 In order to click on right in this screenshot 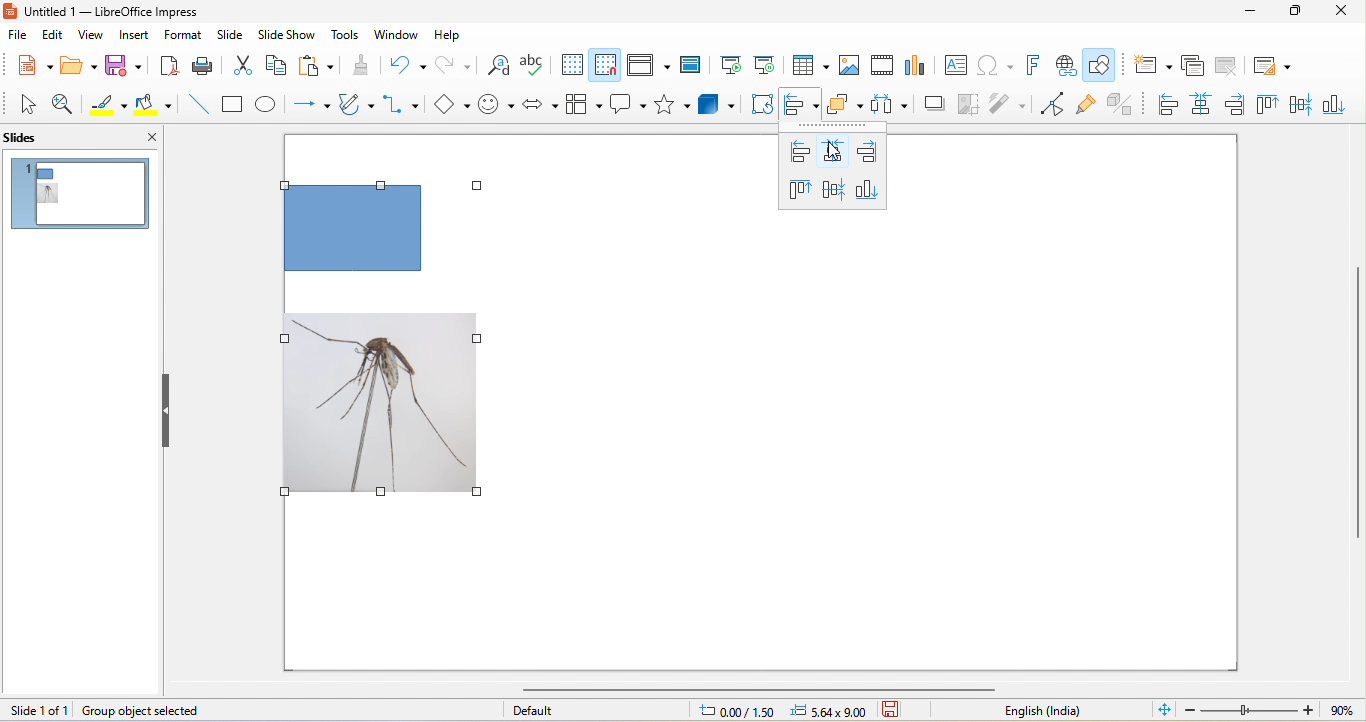, I will do `click(868, 151)`.